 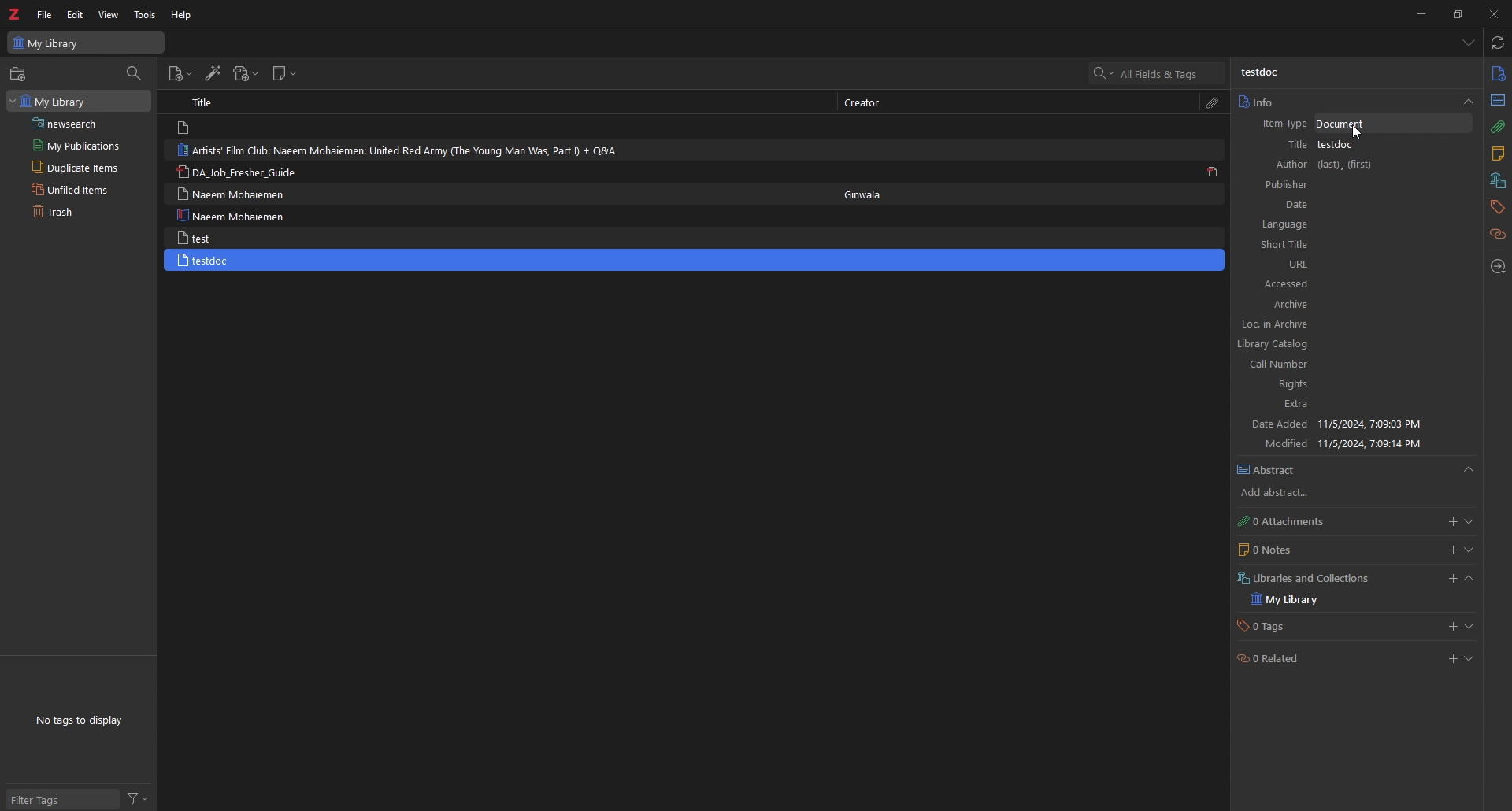 What do you see at coordinates (1309, 494) in the screenshot?
I see `add abstract` at bounding box center [1309, 494].